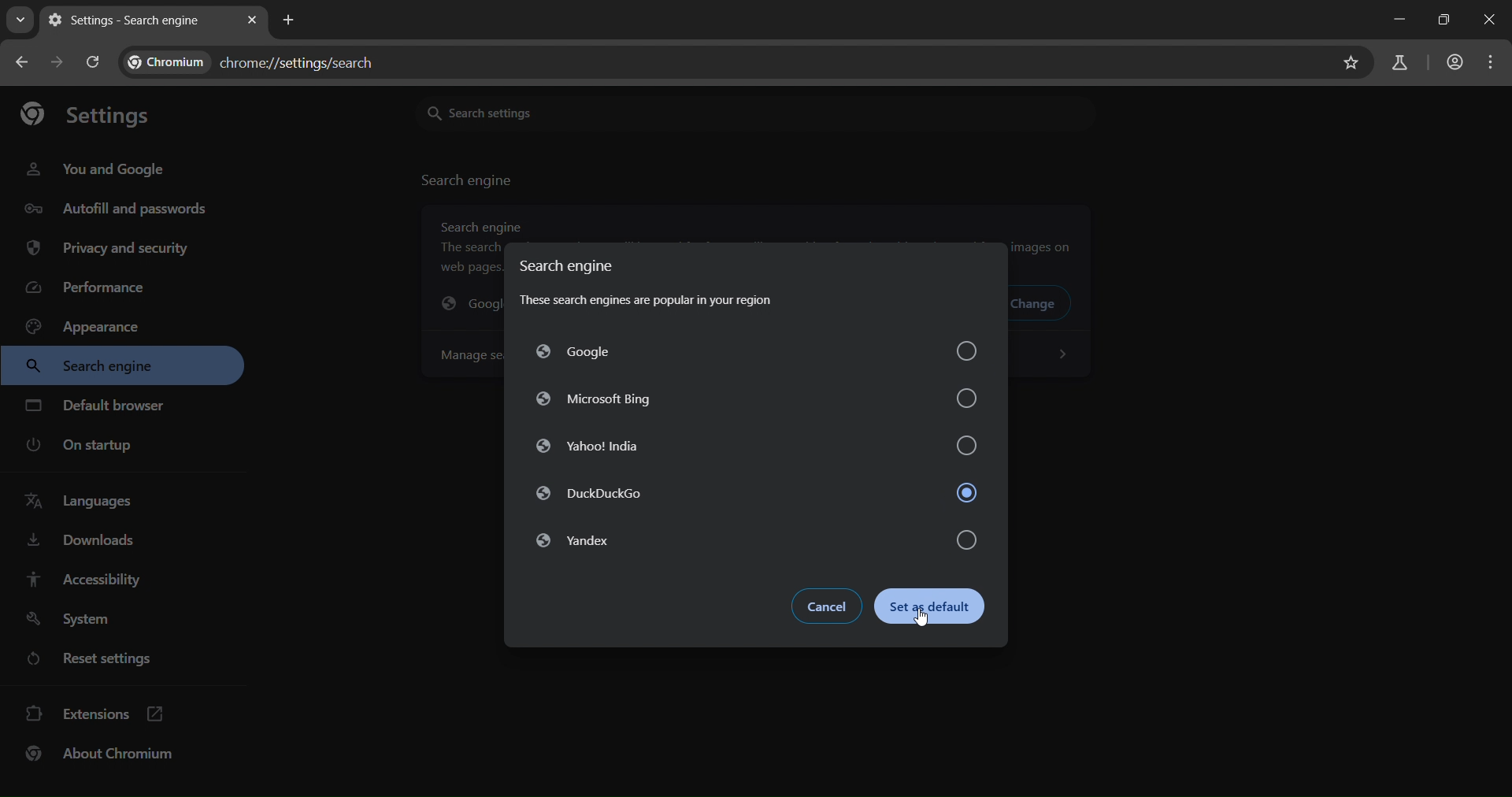 The height and width of the screenshot is (797, 1512). What do you see at coordinates (937, 608) in the screenshot?
I see `set as default` at bounding box center [937, 608].